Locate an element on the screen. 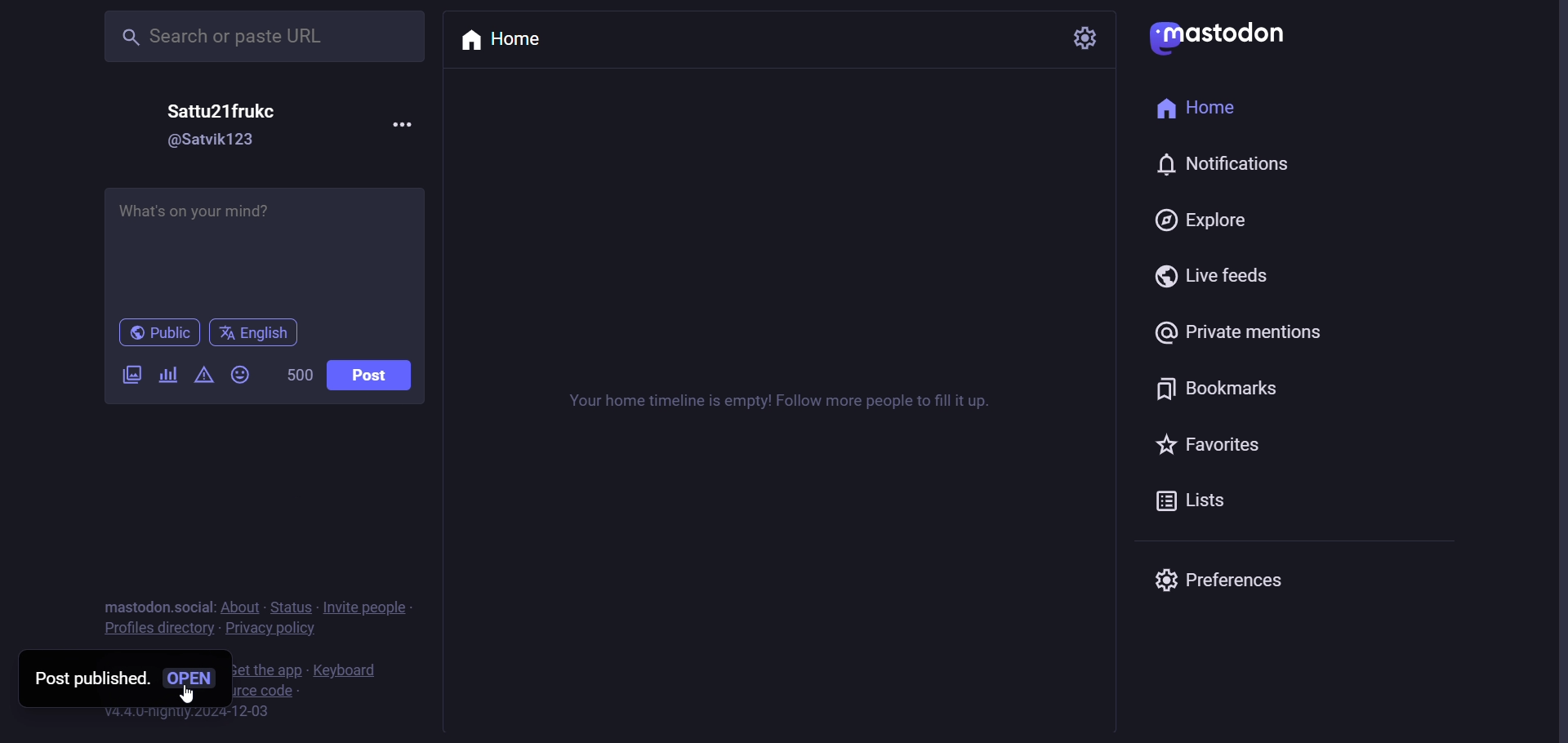 This screenshot has height=743, width=1568. bookmarks is located at coordinates (1218, 389).